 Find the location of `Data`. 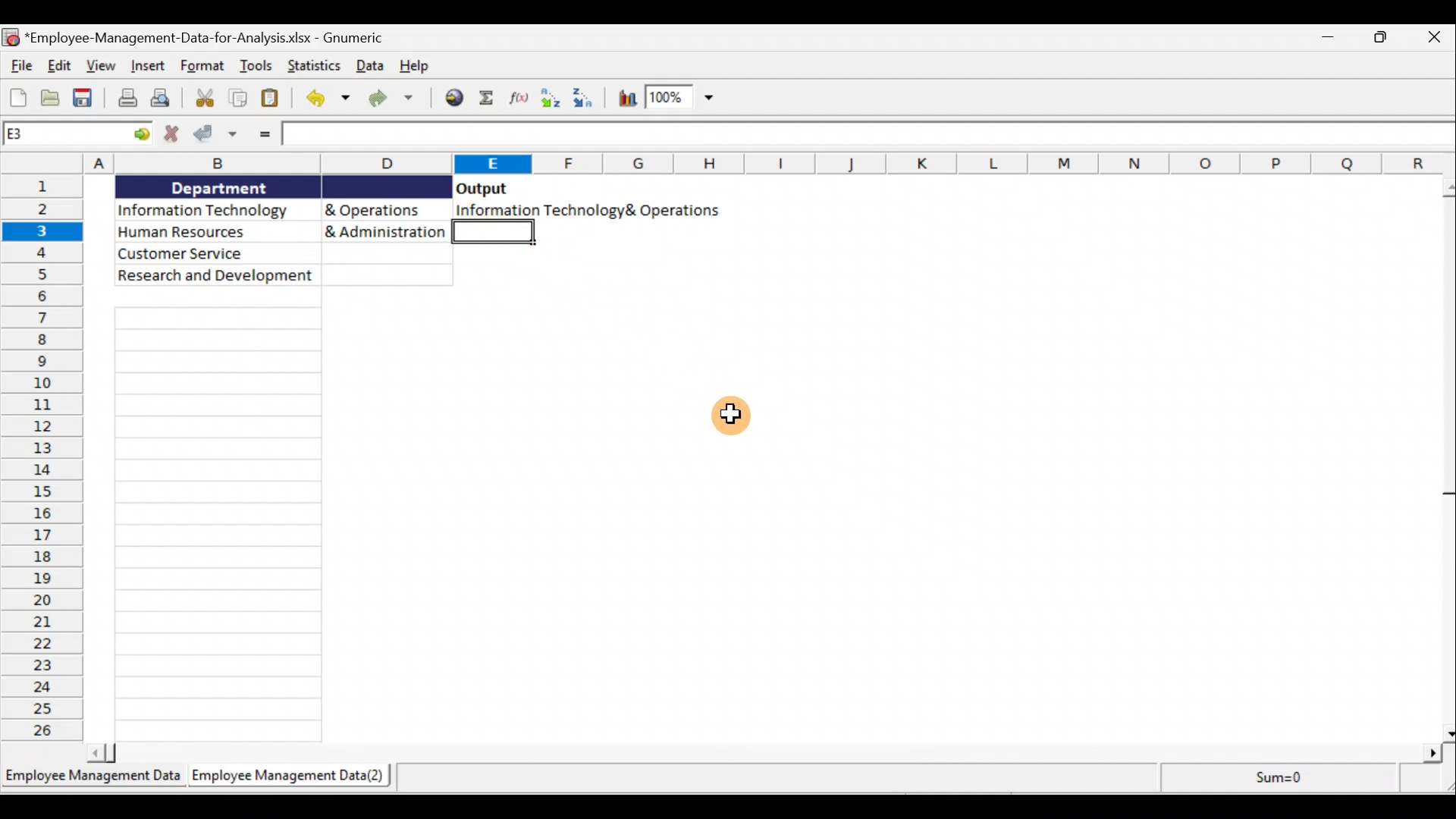

Data is located at coordinates (284, 231).